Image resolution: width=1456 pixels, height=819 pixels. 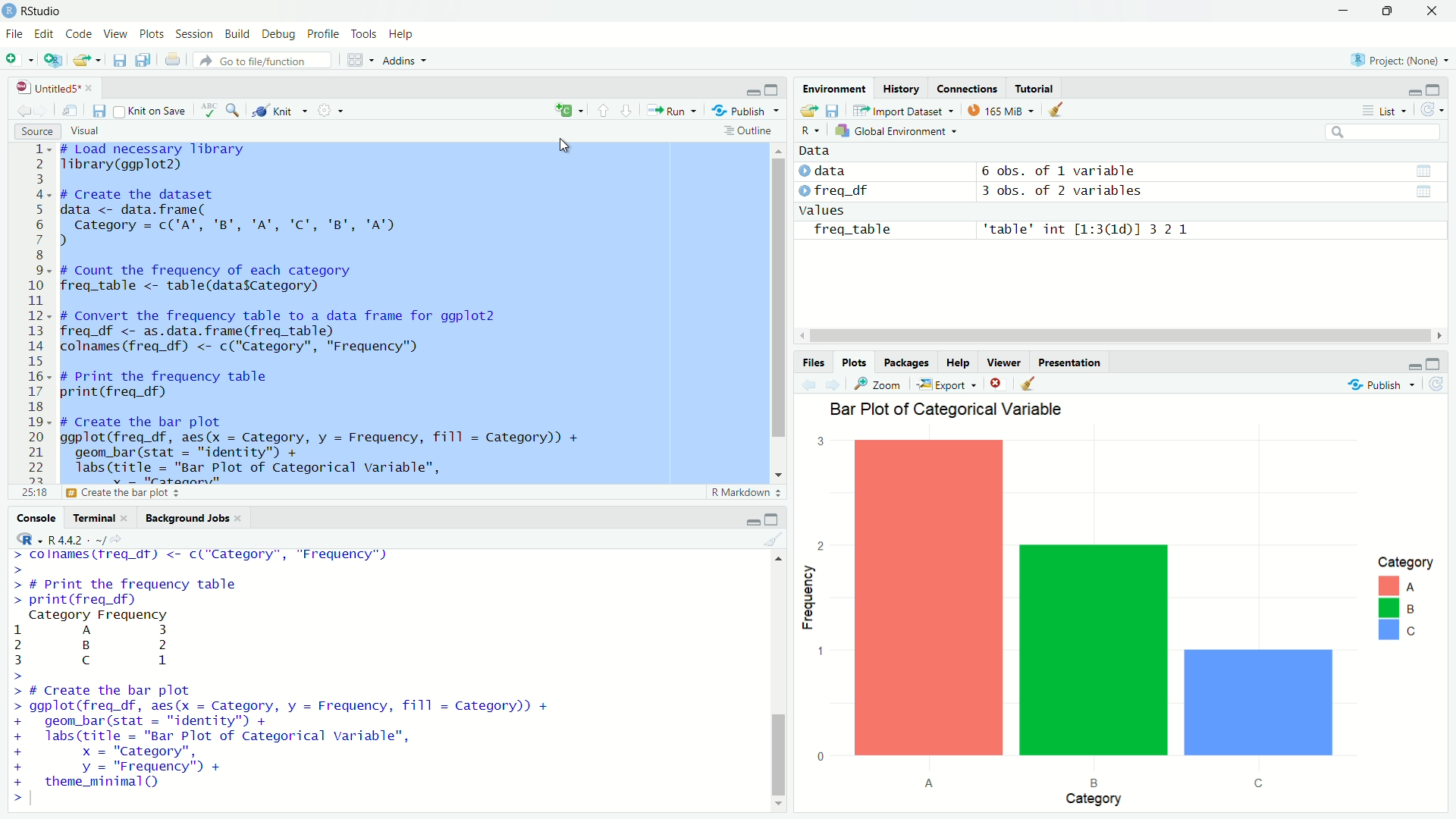 What do you see at coordinates (1432, 110) in the screenshot?
I see `refresh` at bounding box center [1432, 110].